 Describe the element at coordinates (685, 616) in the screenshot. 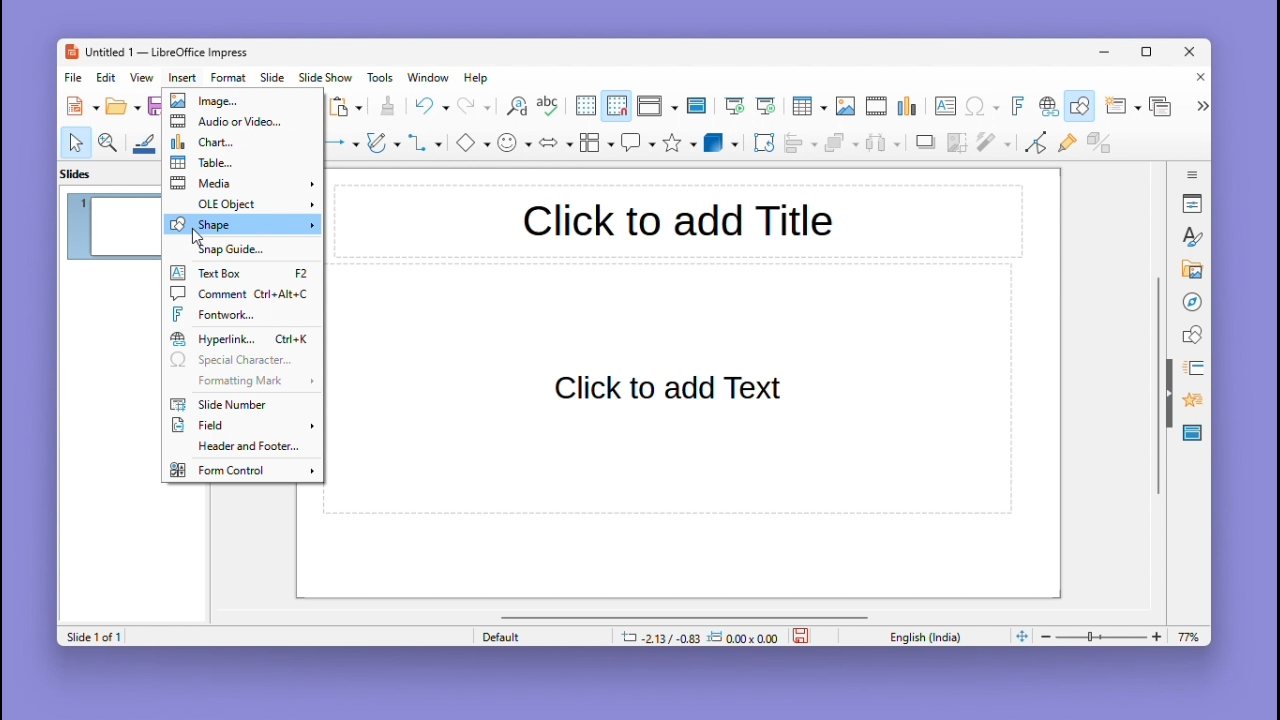

I see `Horizontal scroll bar` at that location.